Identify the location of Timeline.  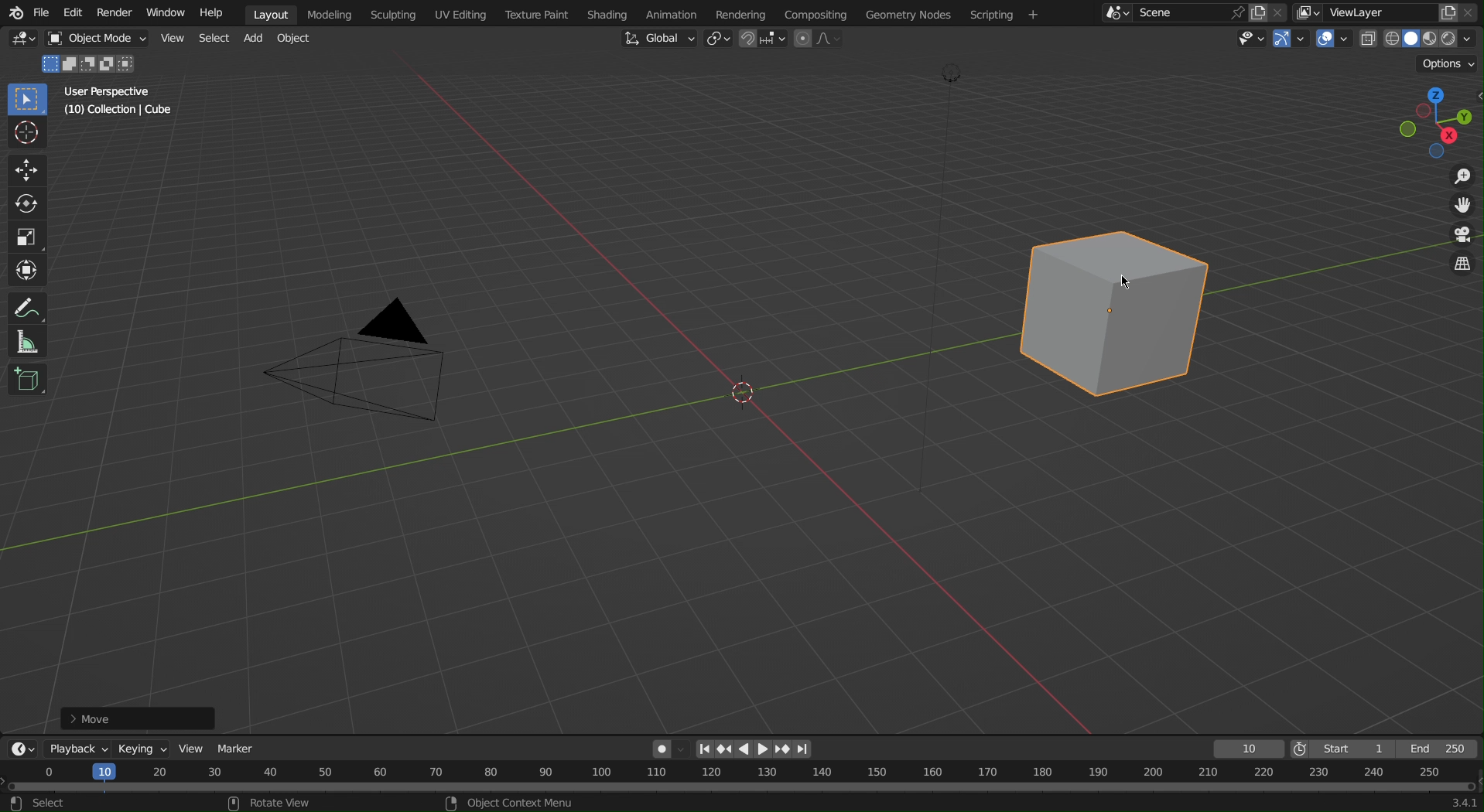
(743, 787).